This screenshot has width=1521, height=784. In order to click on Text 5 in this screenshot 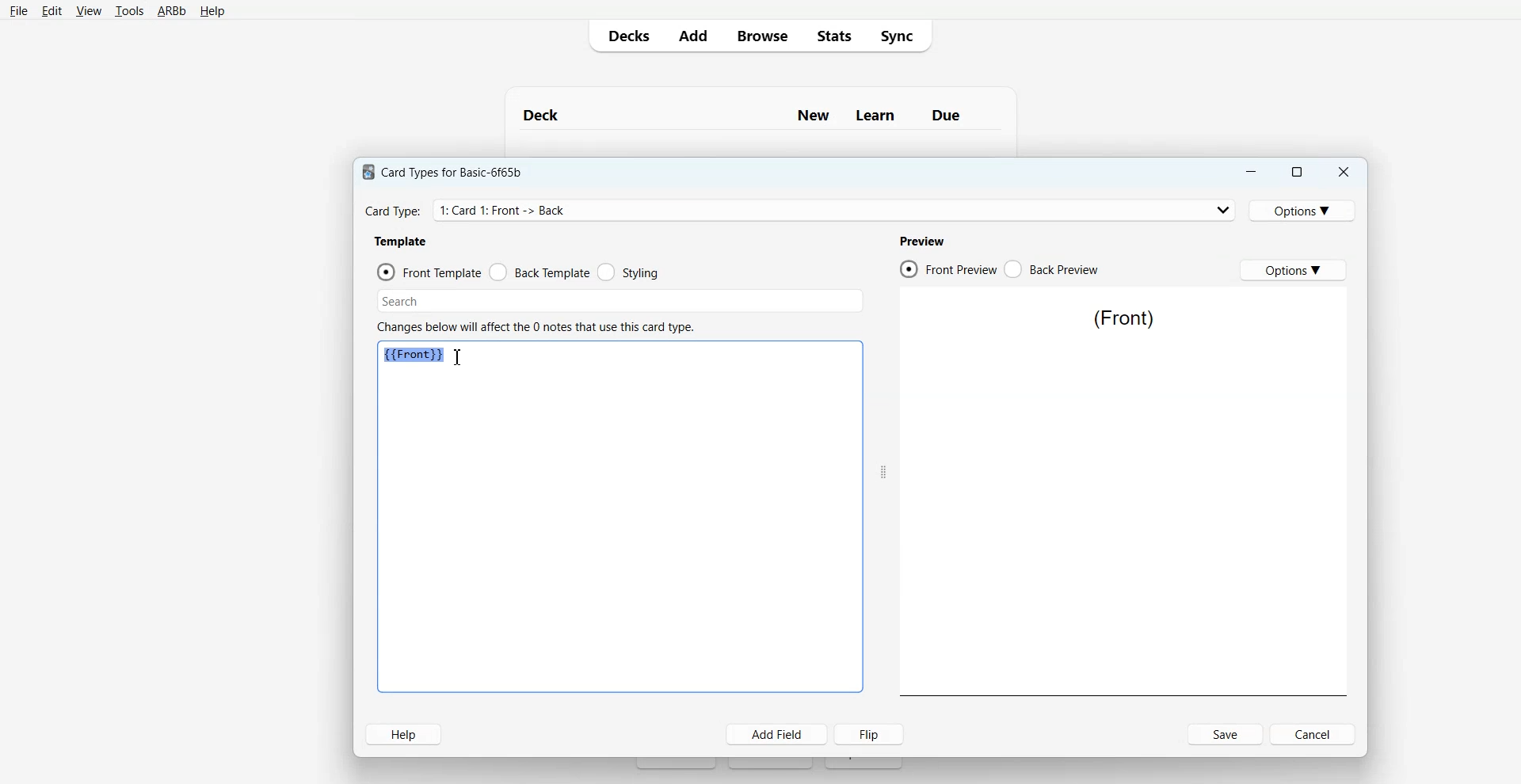, I will do `click(1127, 317)`.